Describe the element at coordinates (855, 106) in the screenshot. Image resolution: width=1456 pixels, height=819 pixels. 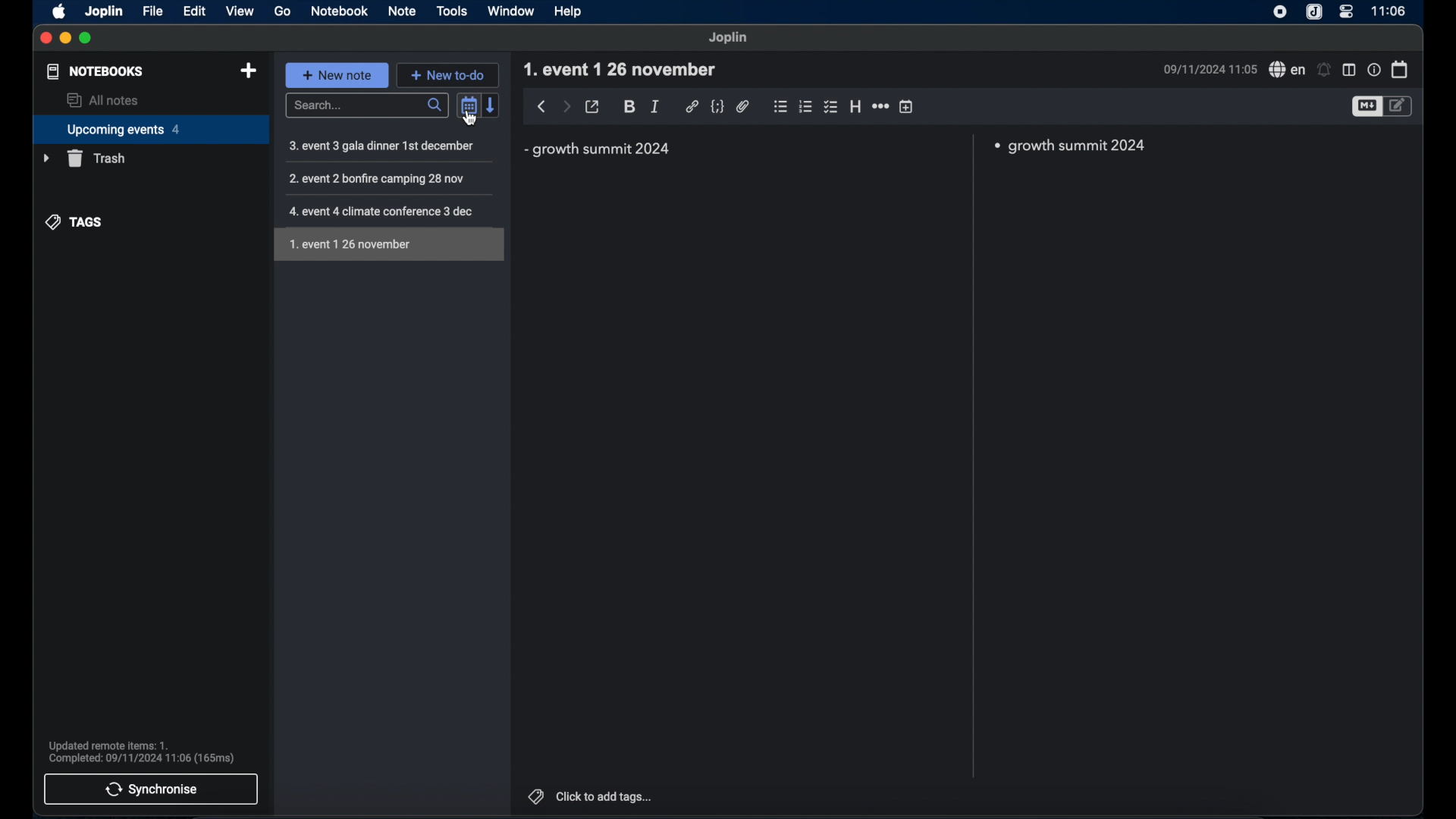
I see `heading` at that location.